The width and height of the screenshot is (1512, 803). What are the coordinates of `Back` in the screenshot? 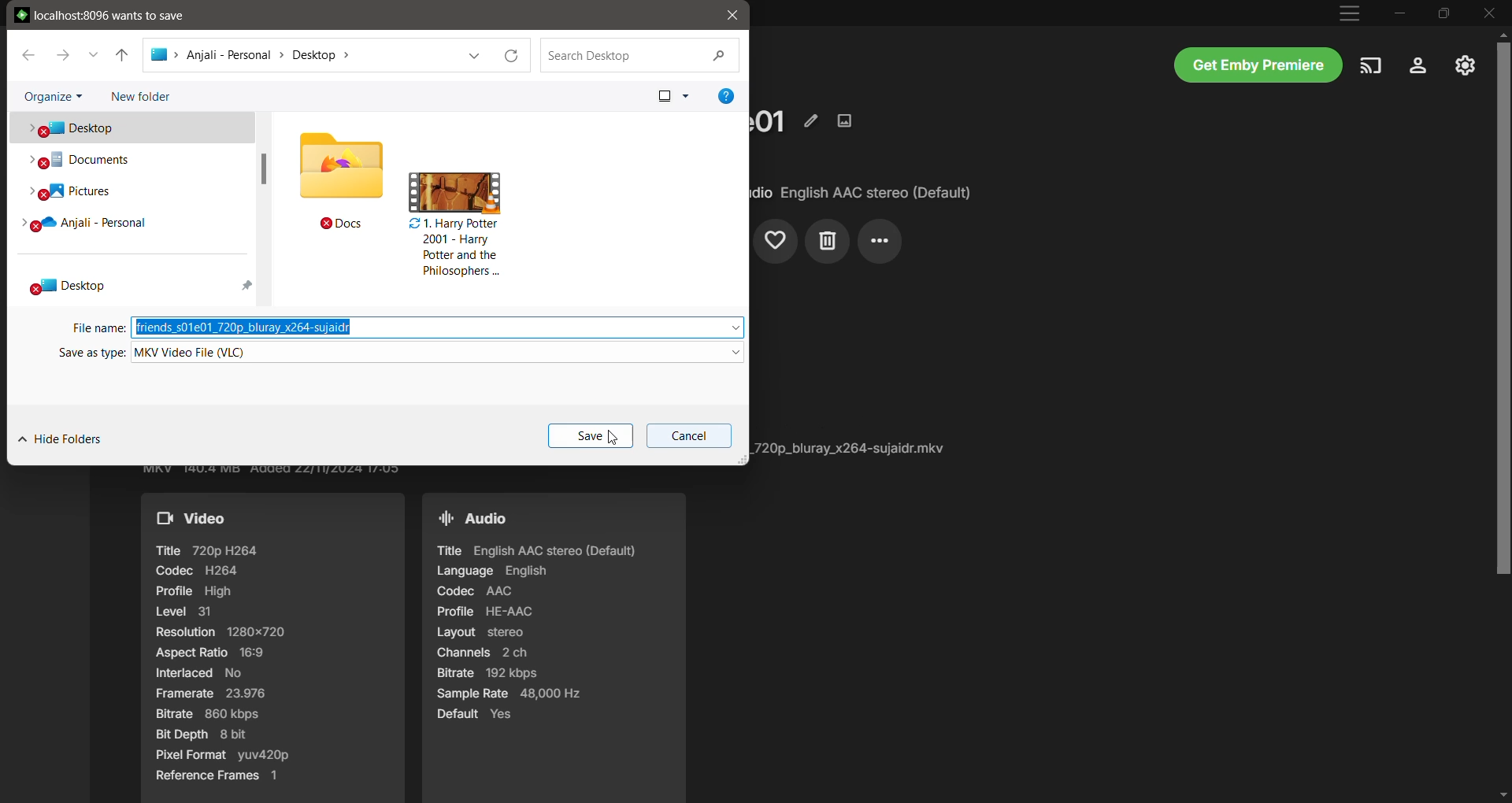 It's located at (27, 54).